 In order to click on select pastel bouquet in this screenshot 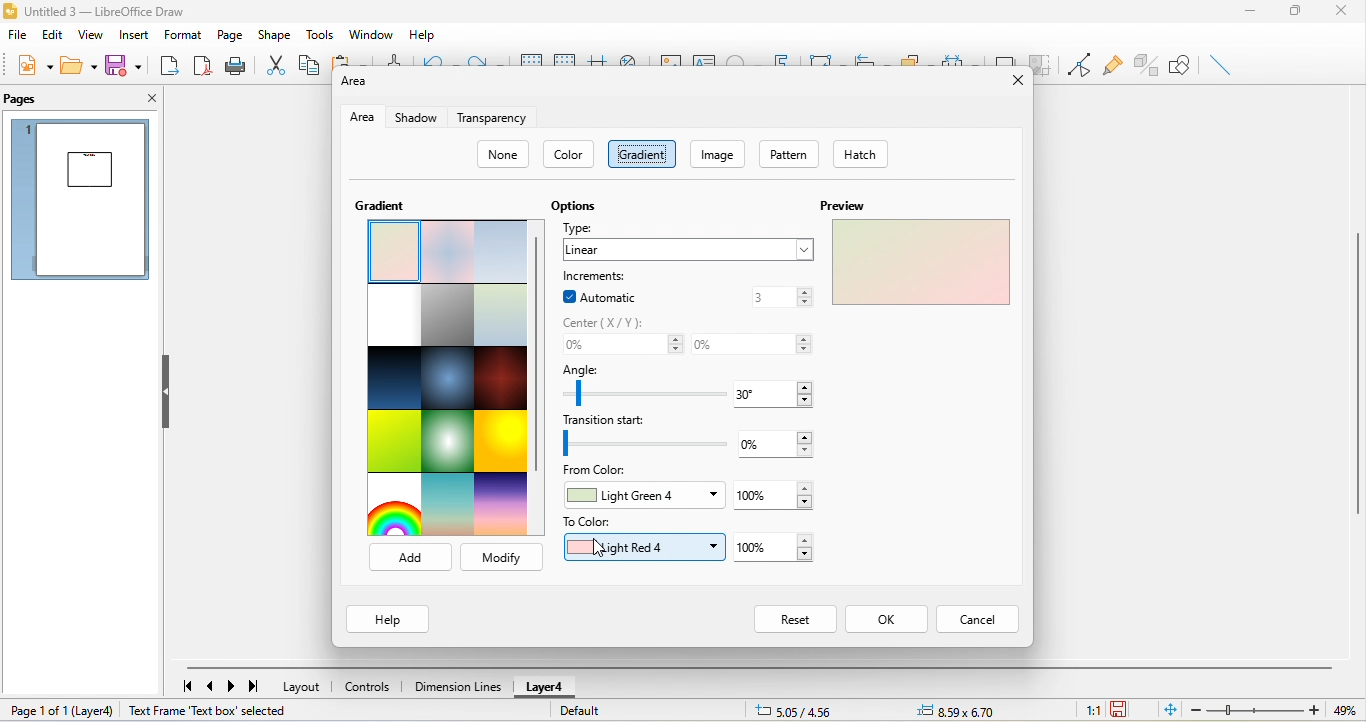, I will do `click(392, 252)`.